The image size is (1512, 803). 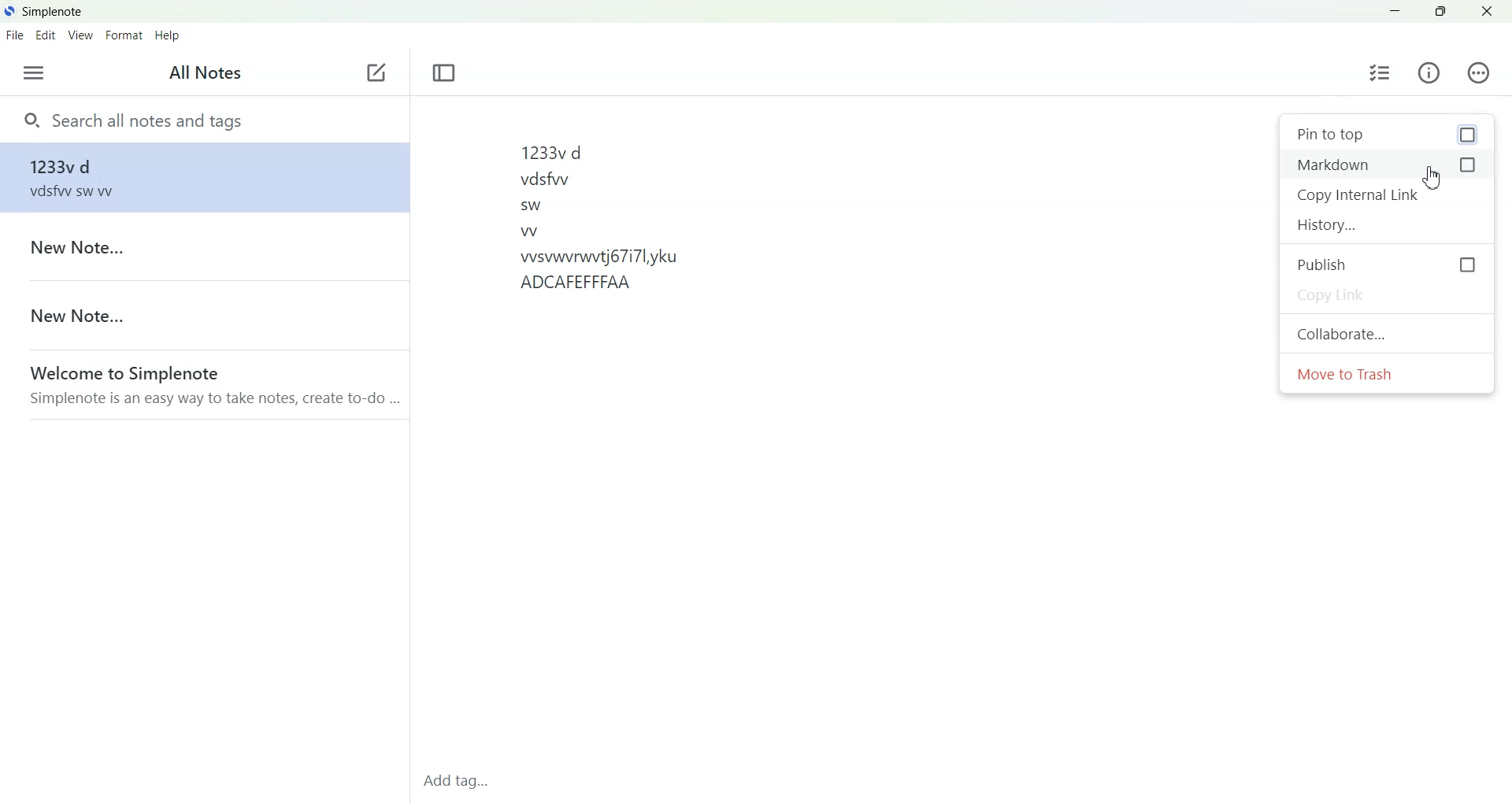 I want to click on History, so click(x=1387, y=224).